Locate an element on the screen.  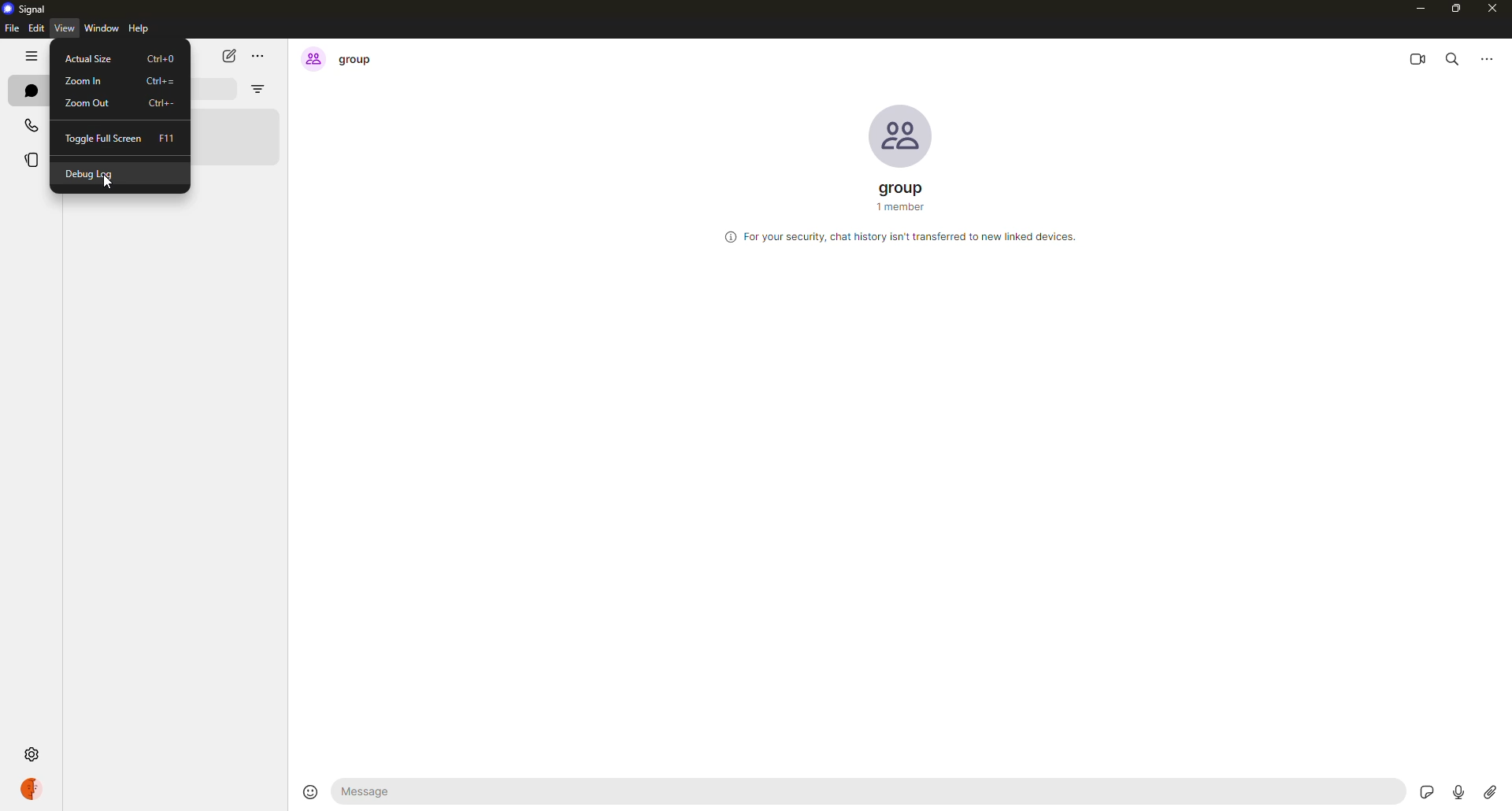
stories is located at coordinates (31, 160).